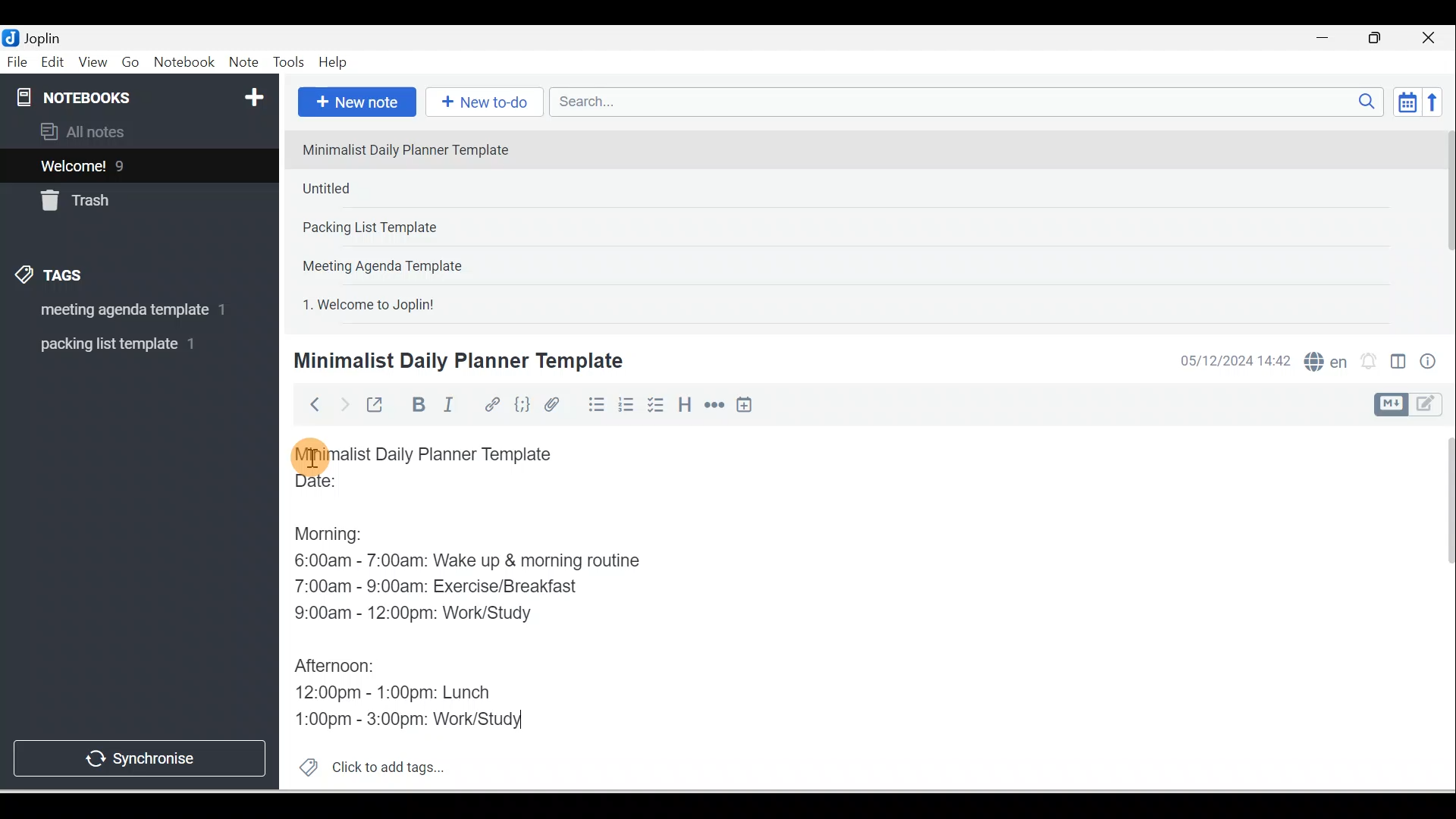  Describe the element at coordinates (354, 103) in the screenshot. I see `New note` at that location.